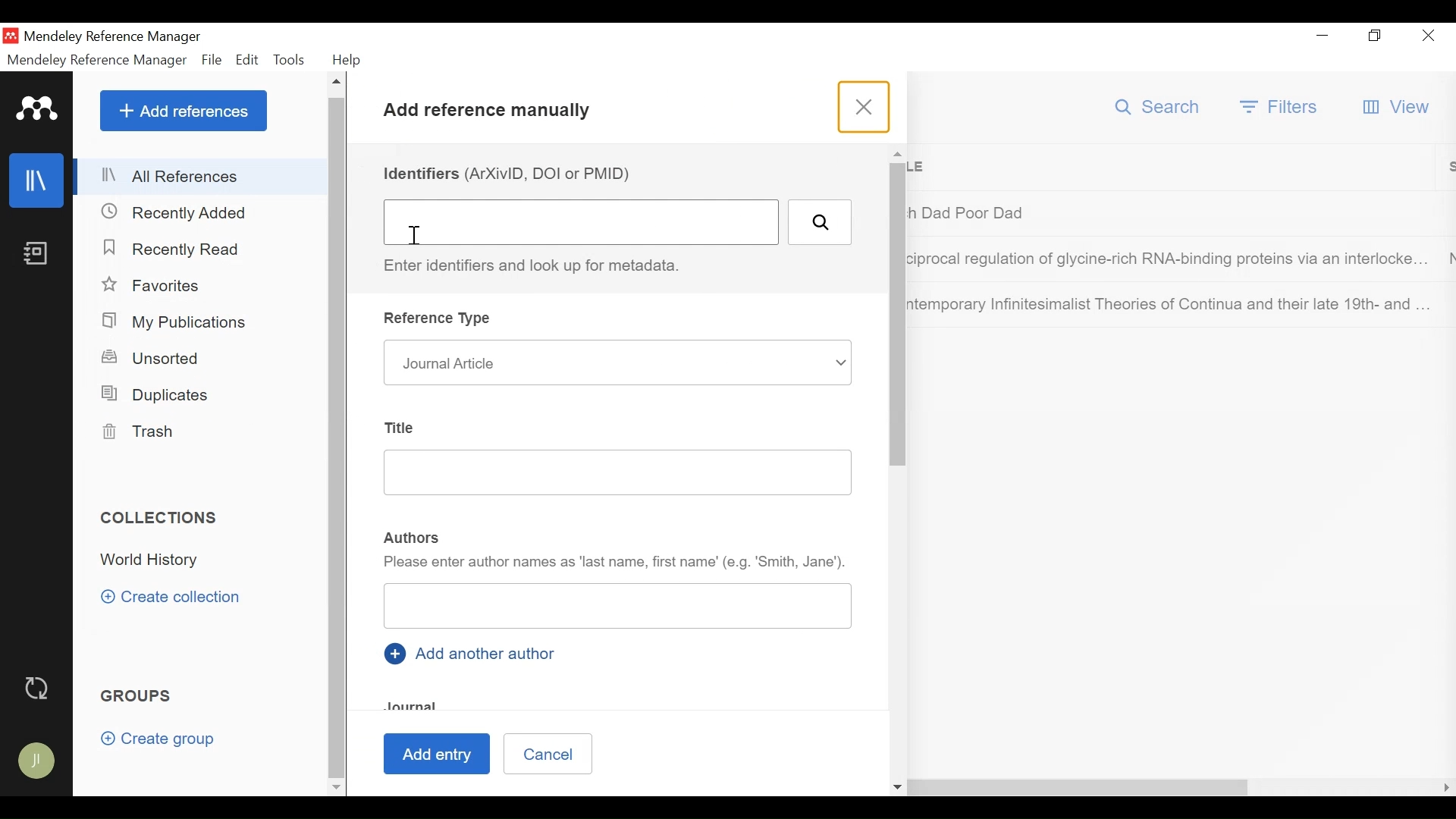 This screenshot has width=1456, height=819. What do you see at coordinates (336, 786) in the screenshot?
I see `Scroll down` at bounding box center [336, 786].